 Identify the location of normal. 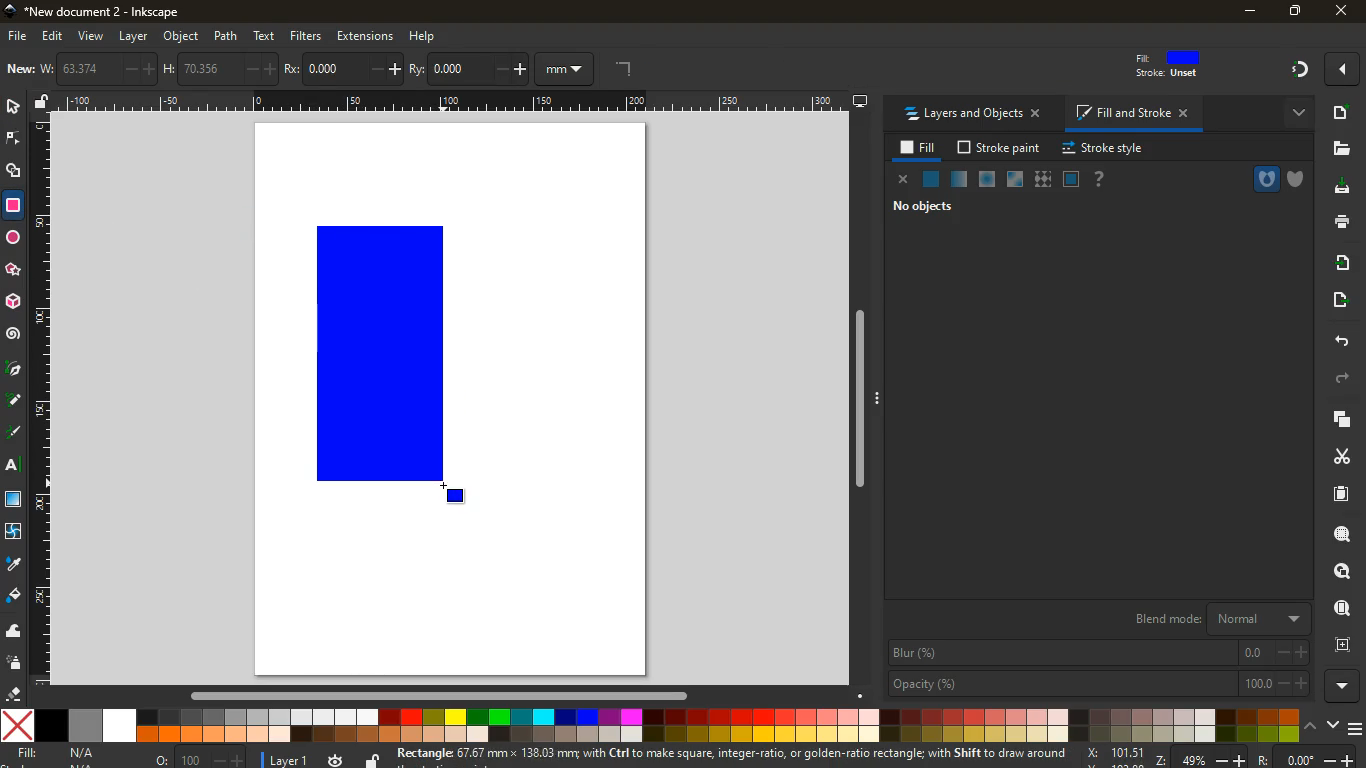
(930, 179).